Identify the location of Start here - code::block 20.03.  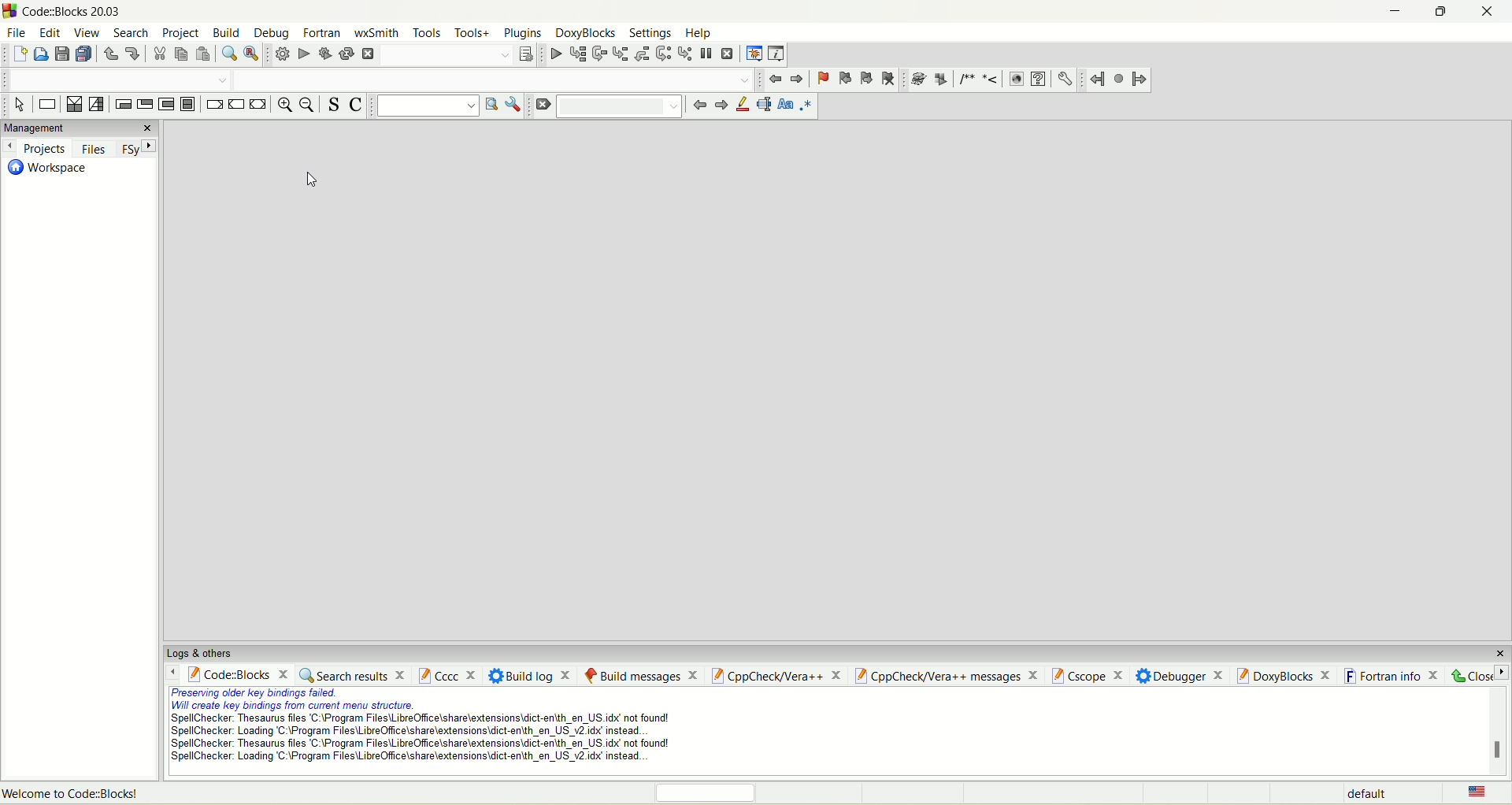
(106, 11).